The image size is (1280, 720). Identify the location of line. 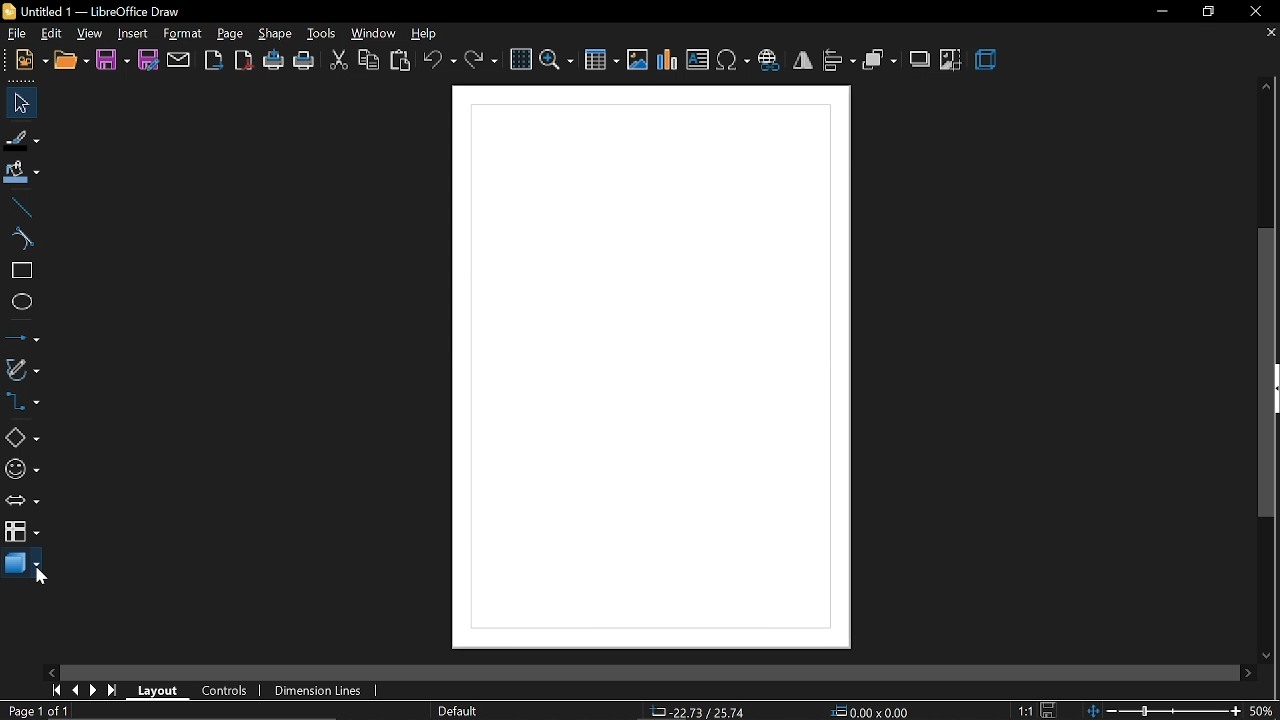
(22, 208).